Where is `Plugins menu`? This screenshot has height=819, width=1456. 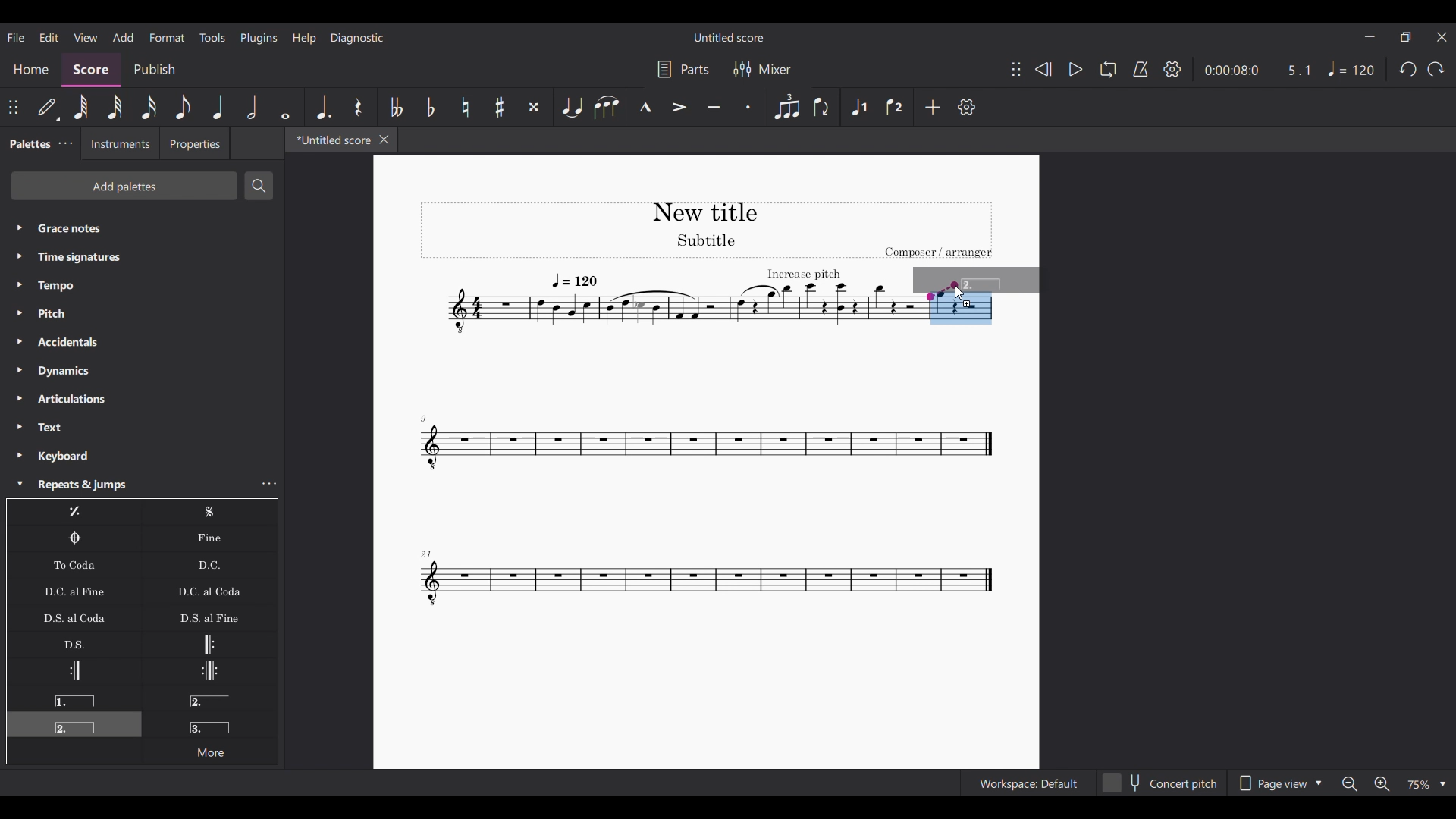
Plugins menu is located at coordinates (259, 38).